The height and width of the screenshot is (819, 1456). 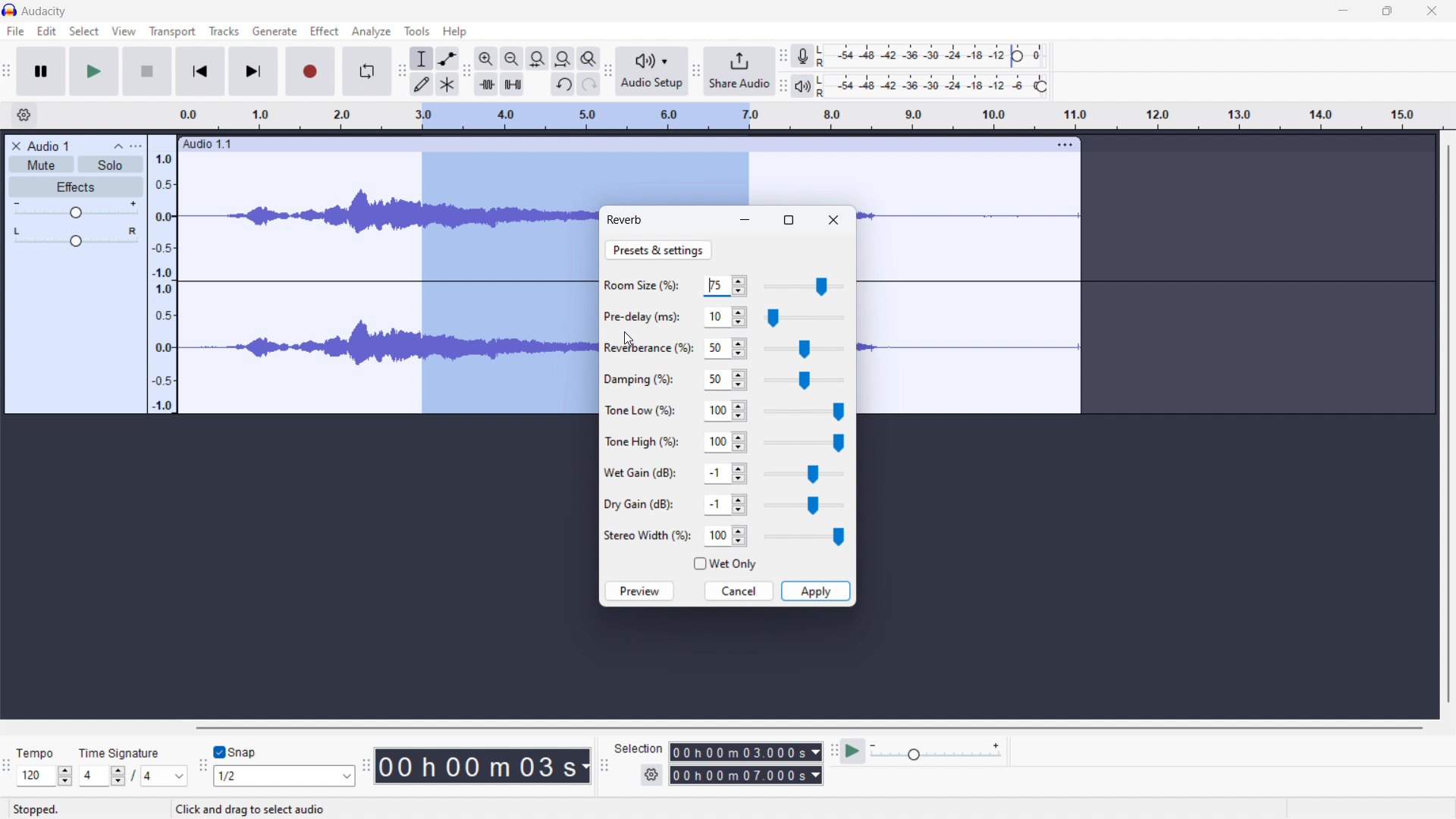 I want to click on 4, so click(x=100, y=777).